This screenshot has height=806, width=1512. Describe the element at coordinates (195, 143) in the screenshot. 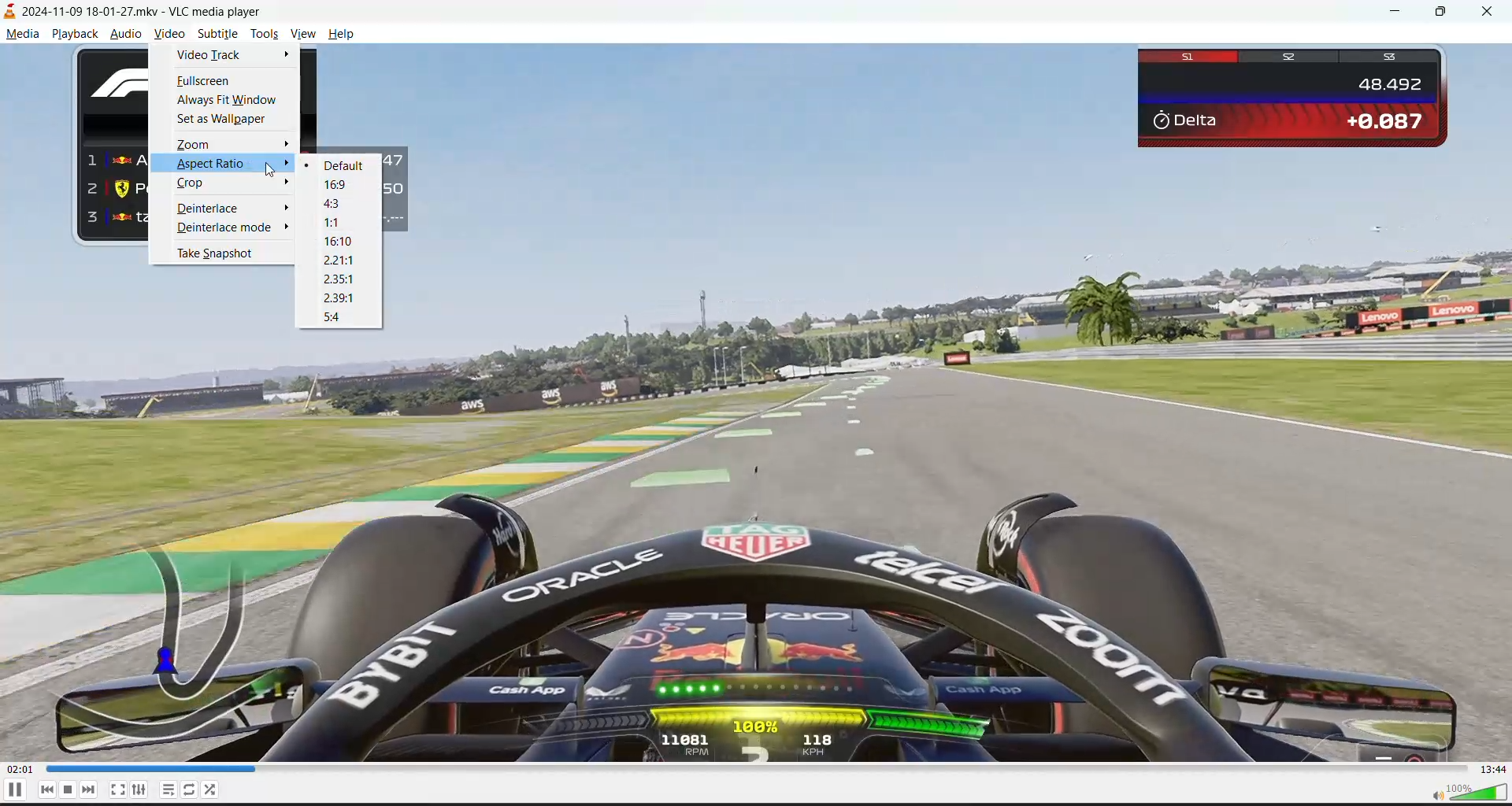

I see `zoom` at that location.